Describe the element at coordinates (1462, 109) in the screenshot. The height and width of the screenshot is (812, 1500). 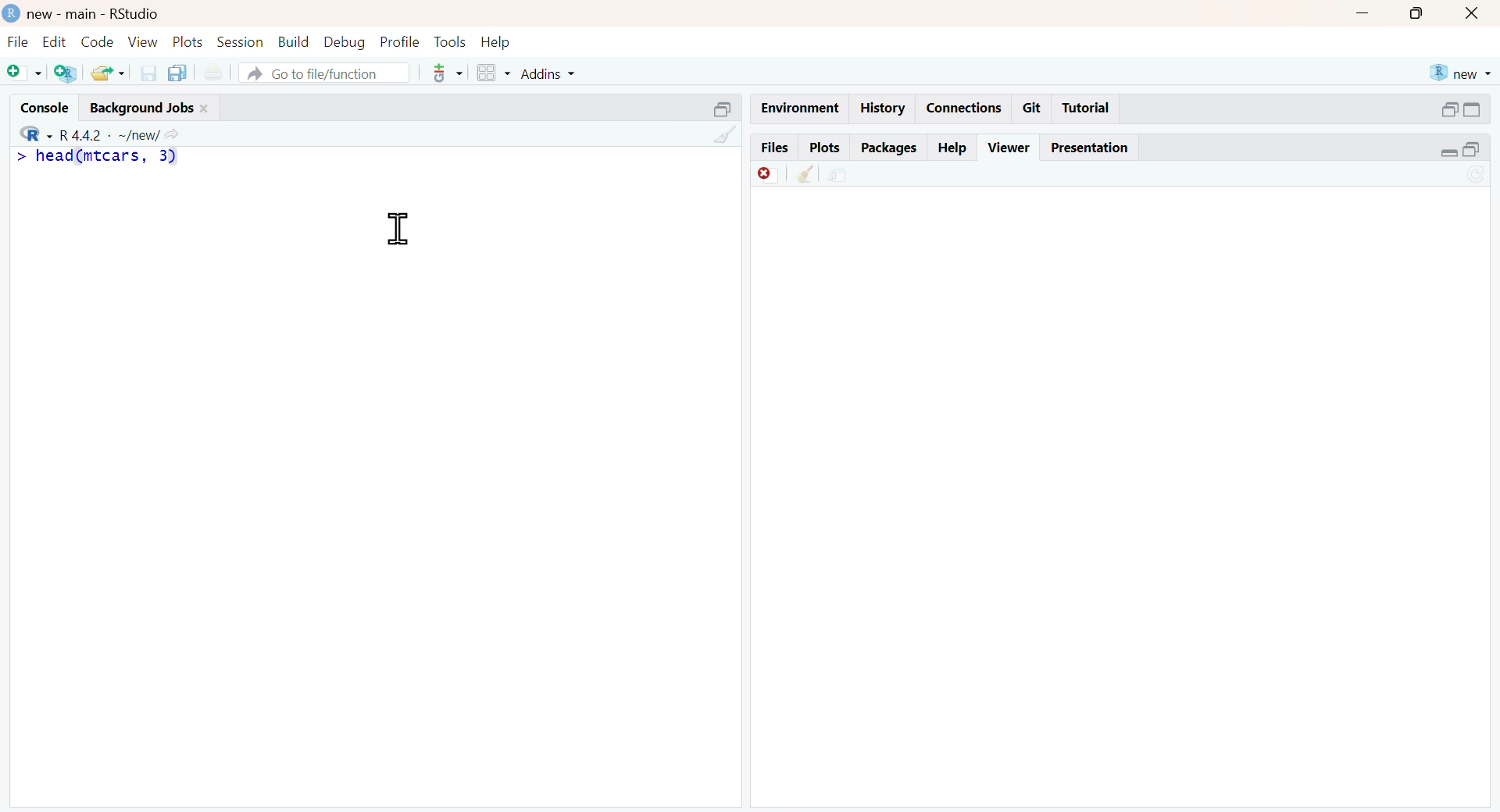
I see `minimize/maximize` at that location.